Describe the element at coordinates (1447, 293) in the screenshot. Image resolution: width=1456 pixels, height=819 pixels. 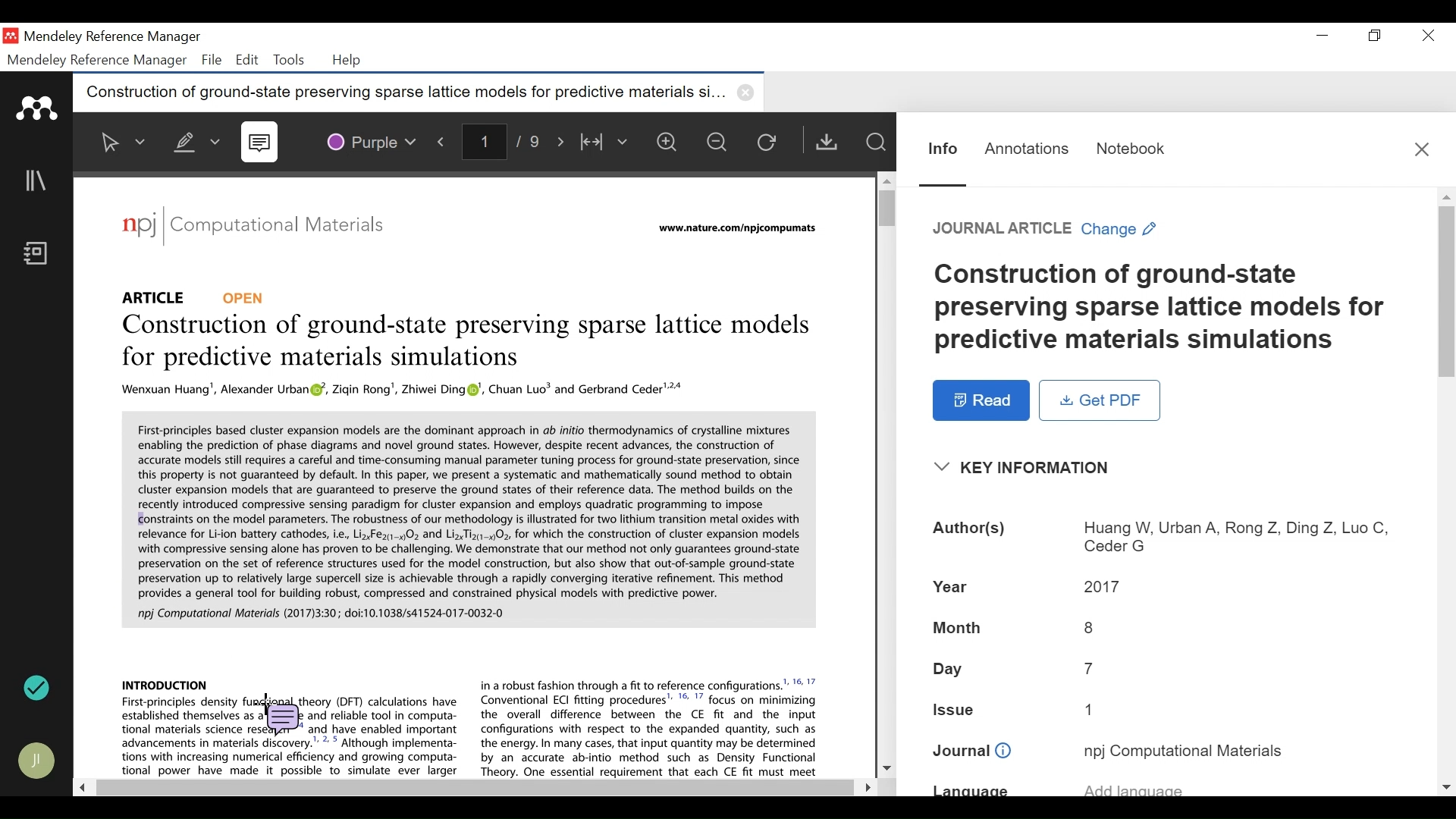
I see `Vertical Scroll bar` at that location.